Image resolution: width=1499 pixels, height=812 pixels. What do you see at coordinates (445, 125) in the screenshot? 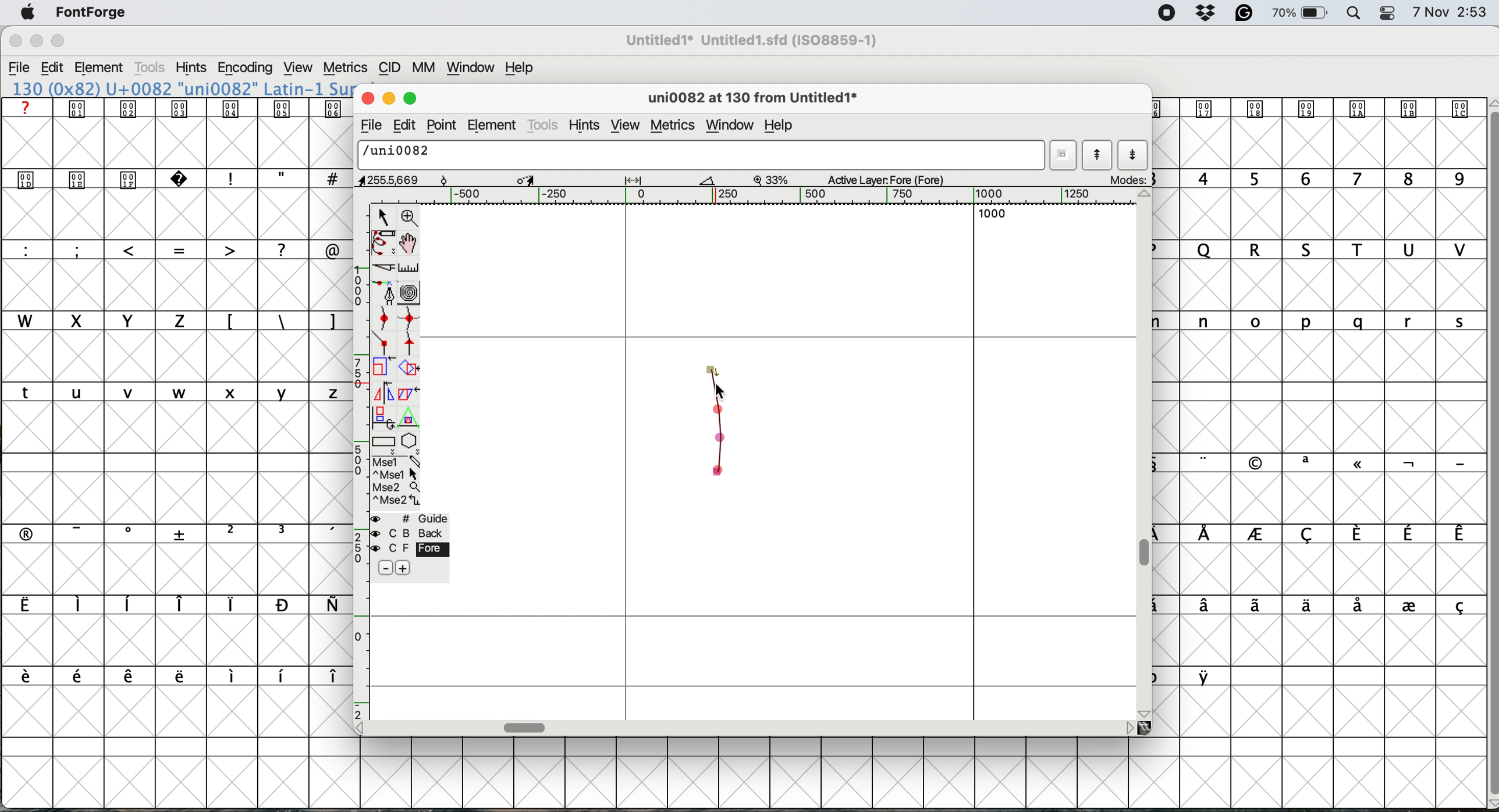
I see `point` at bounding box center [445, 125].